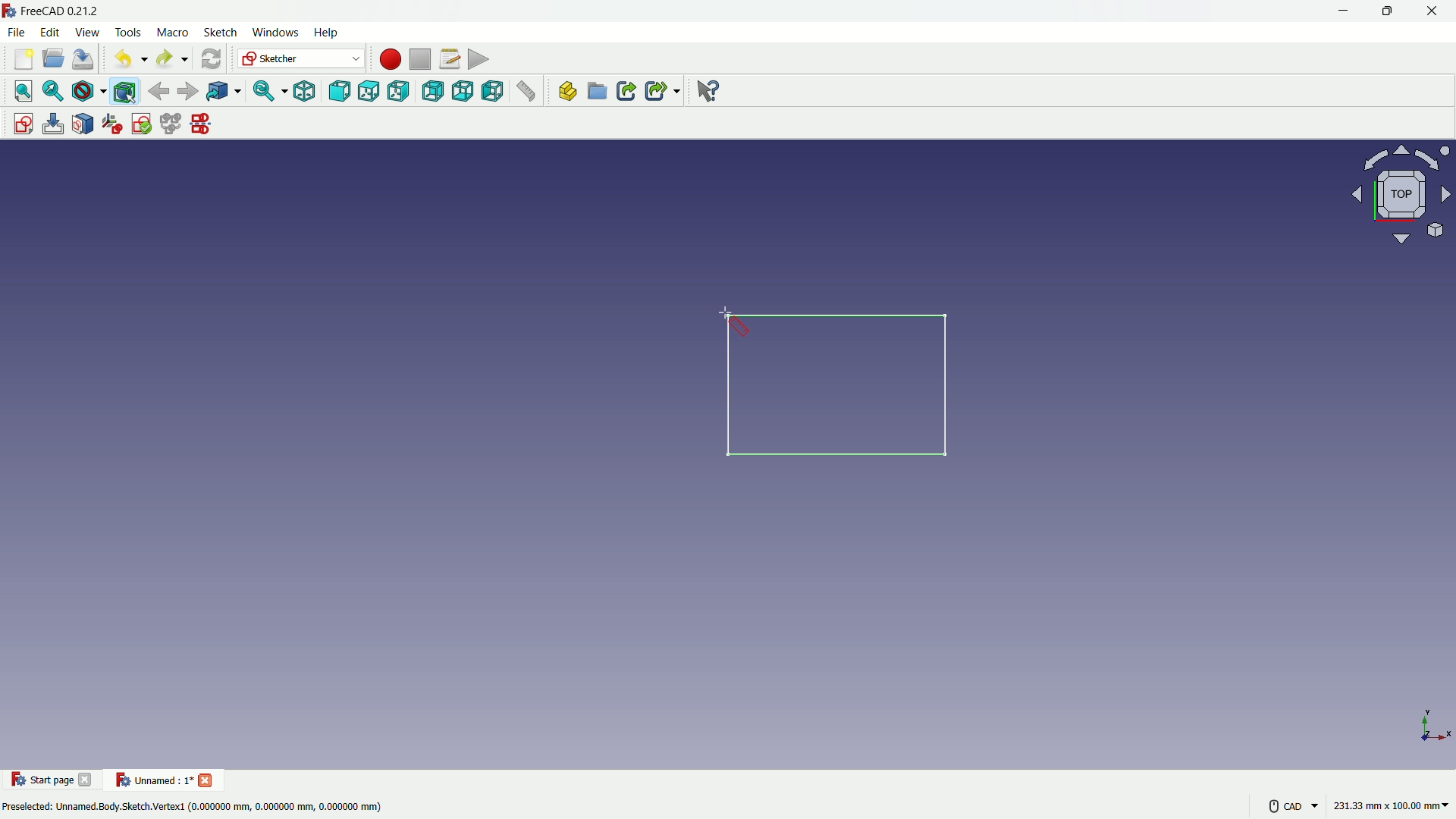 Image resolution: width=1456 pixels, height=819 pixels. I want to click on forward, so click(187, 91).